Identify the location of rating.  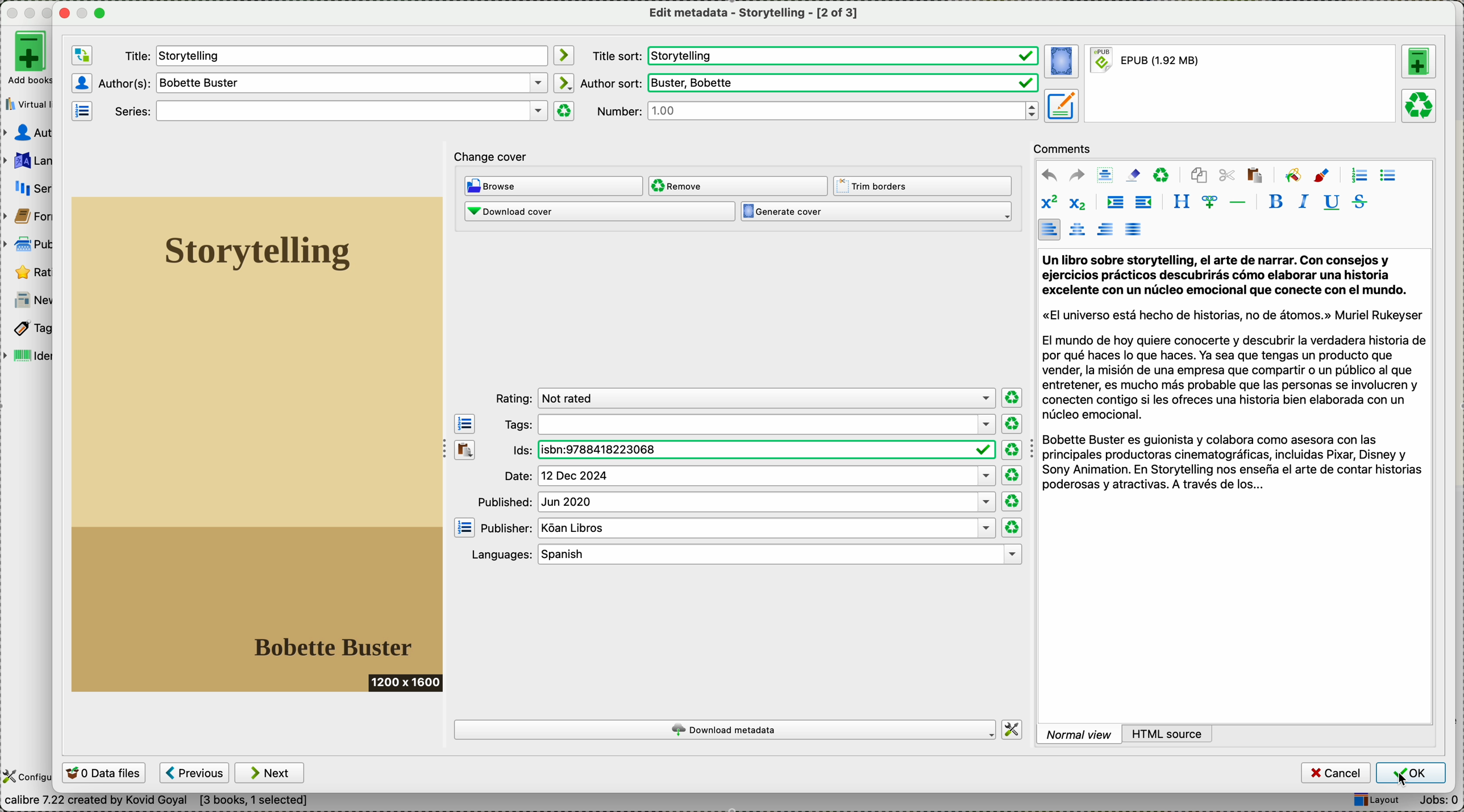
(31, 271).